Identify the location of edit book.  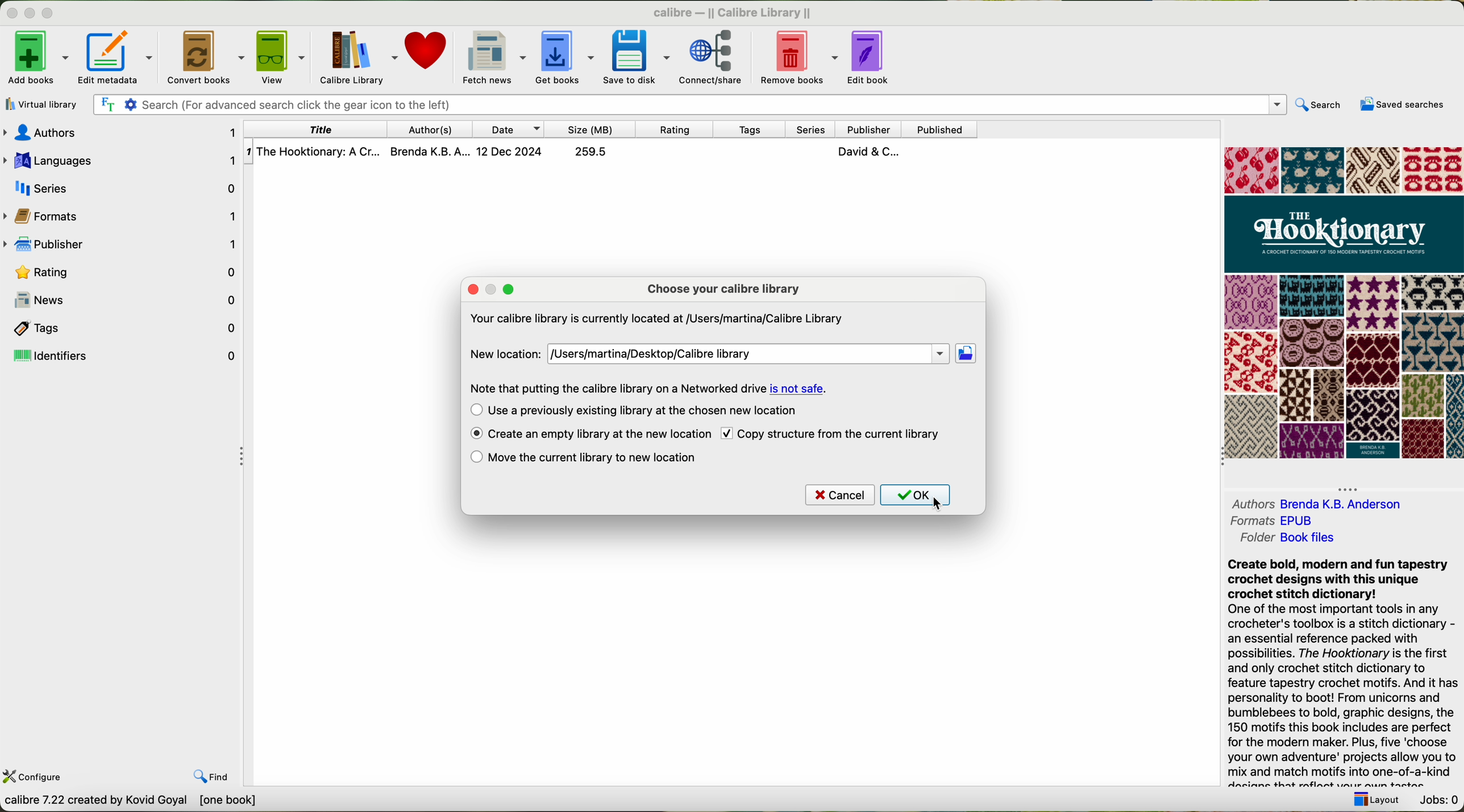
(868, 56).